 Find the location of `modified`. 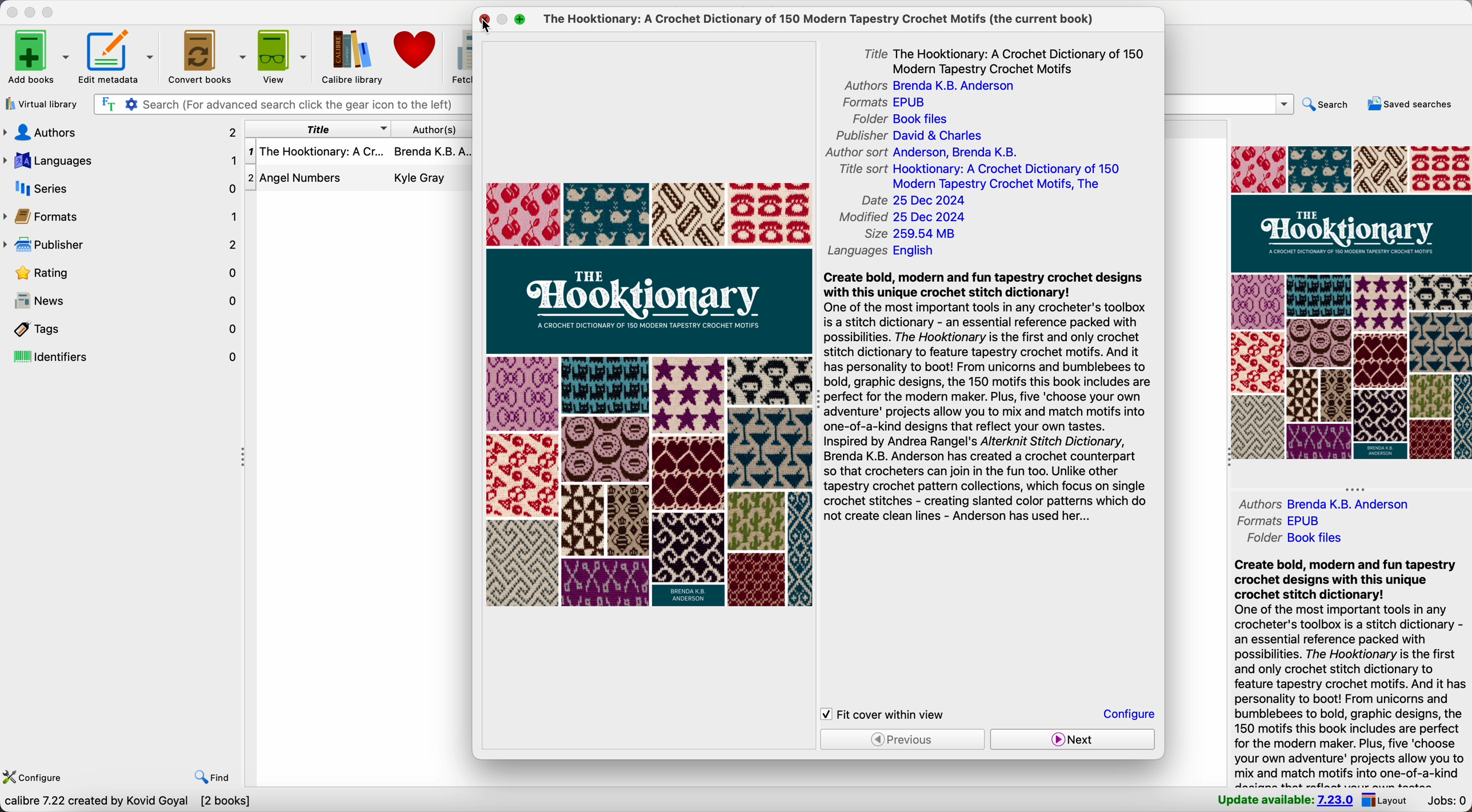

modified is located at coordinates (903, 218).